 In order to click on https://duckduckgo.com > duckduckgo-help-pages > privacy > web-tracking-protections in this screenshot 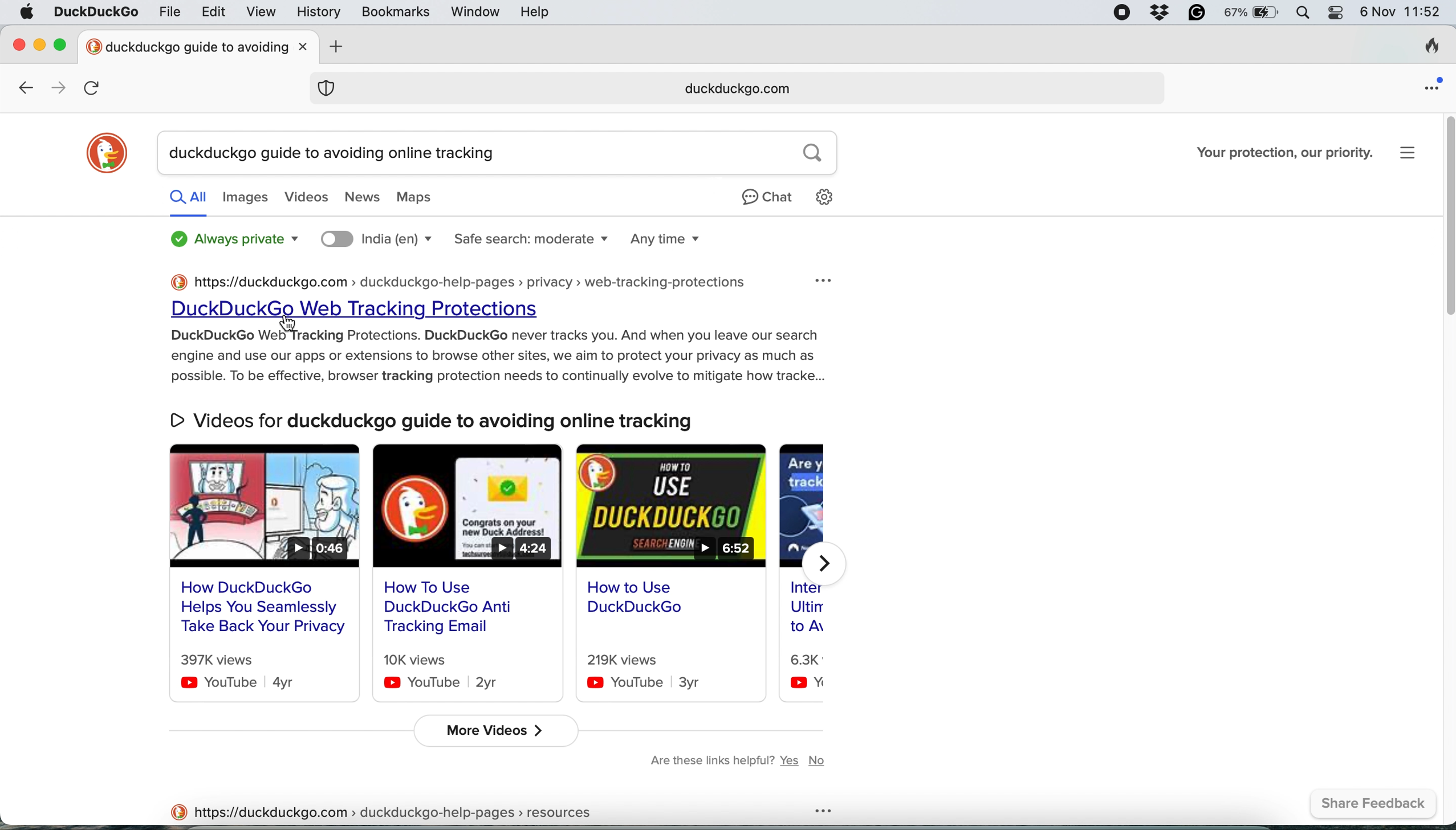, I will do `click(459, 281)`.